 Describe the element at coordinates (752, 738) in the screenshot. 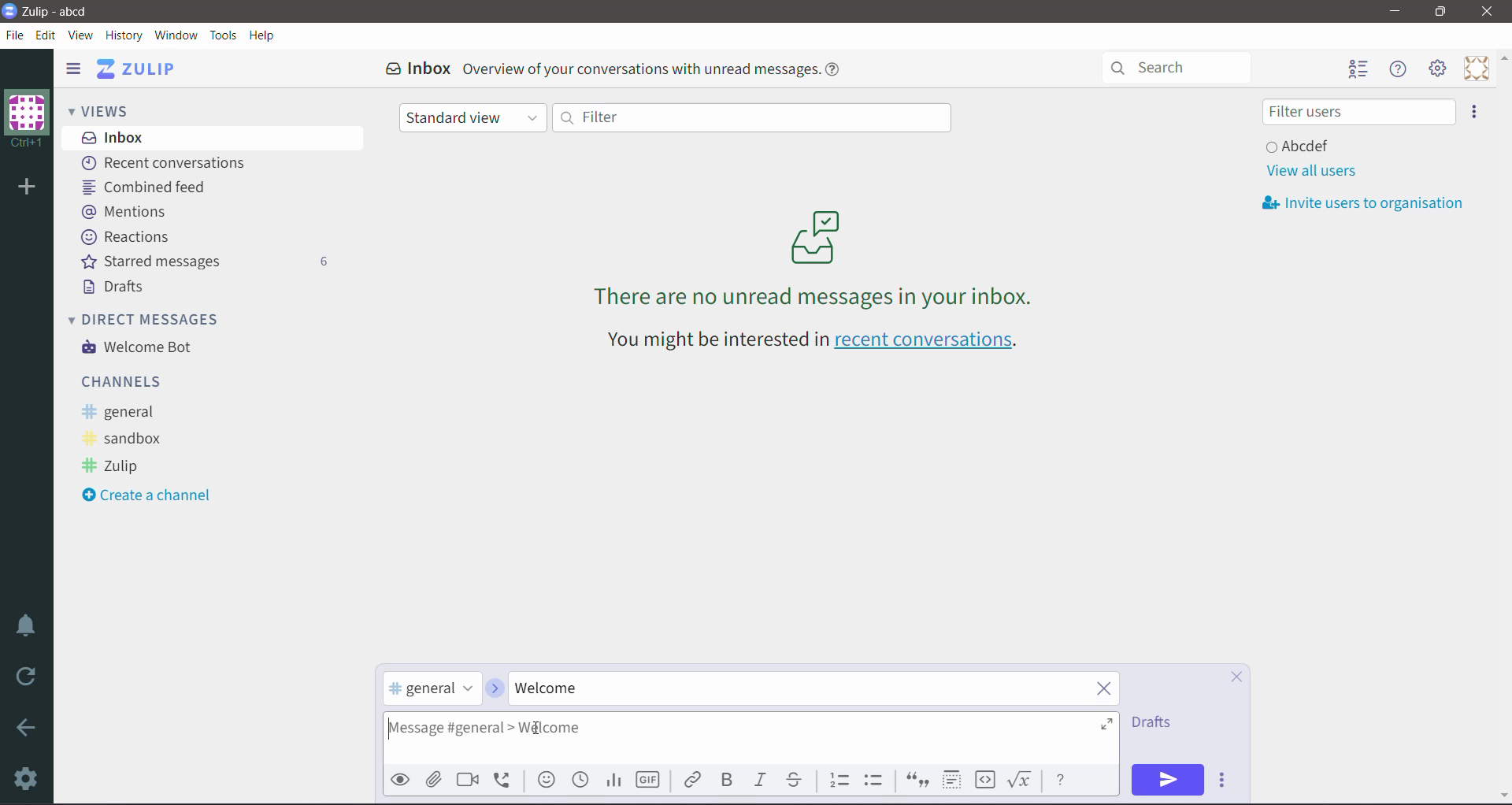

I see `Type the required message in the general channel under the specified topic` at that location.